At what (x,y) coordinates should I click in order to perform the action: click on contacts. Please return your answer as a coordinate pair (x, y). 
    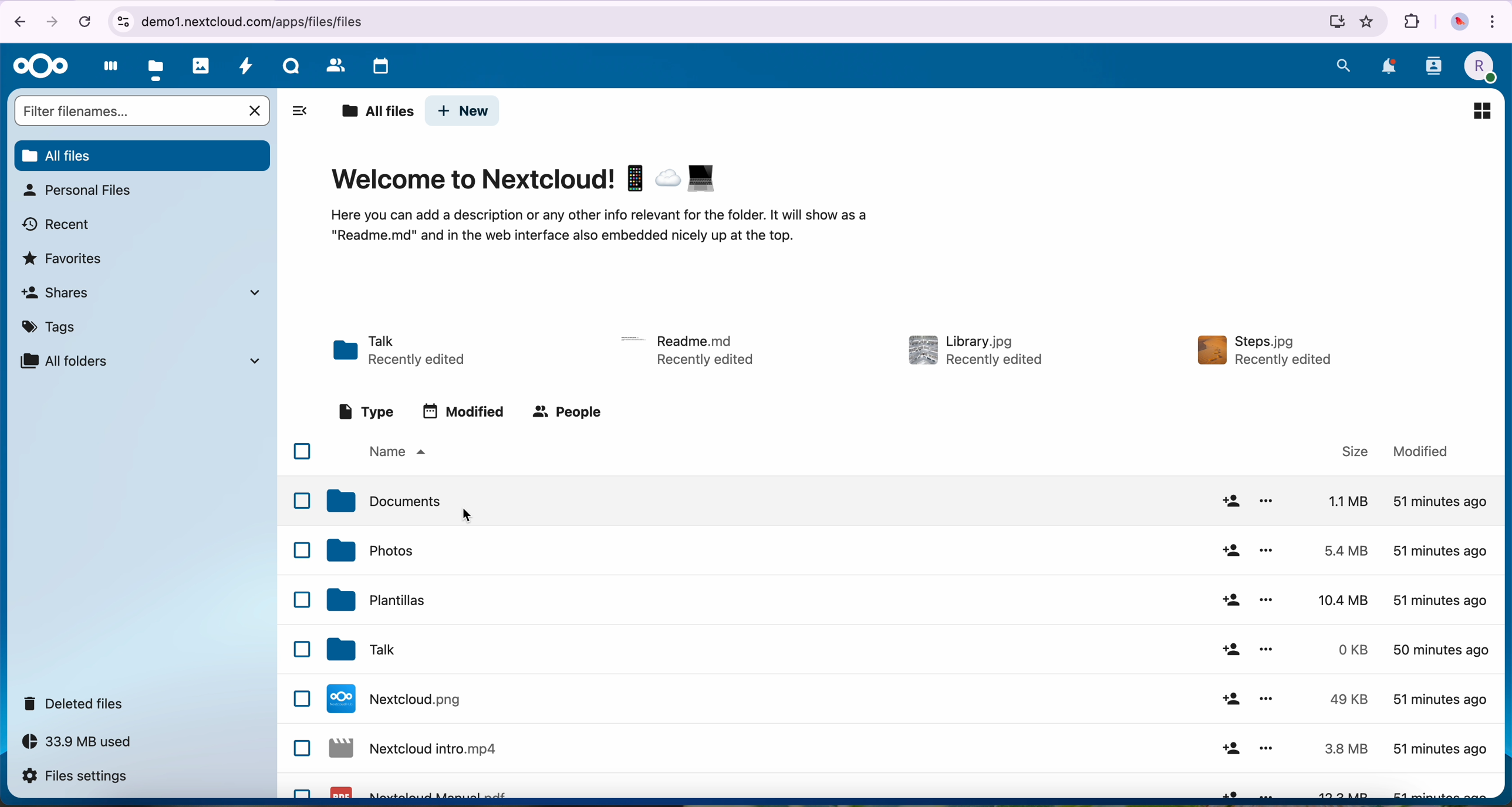
    Looking at the image, I should click on (333, 66).